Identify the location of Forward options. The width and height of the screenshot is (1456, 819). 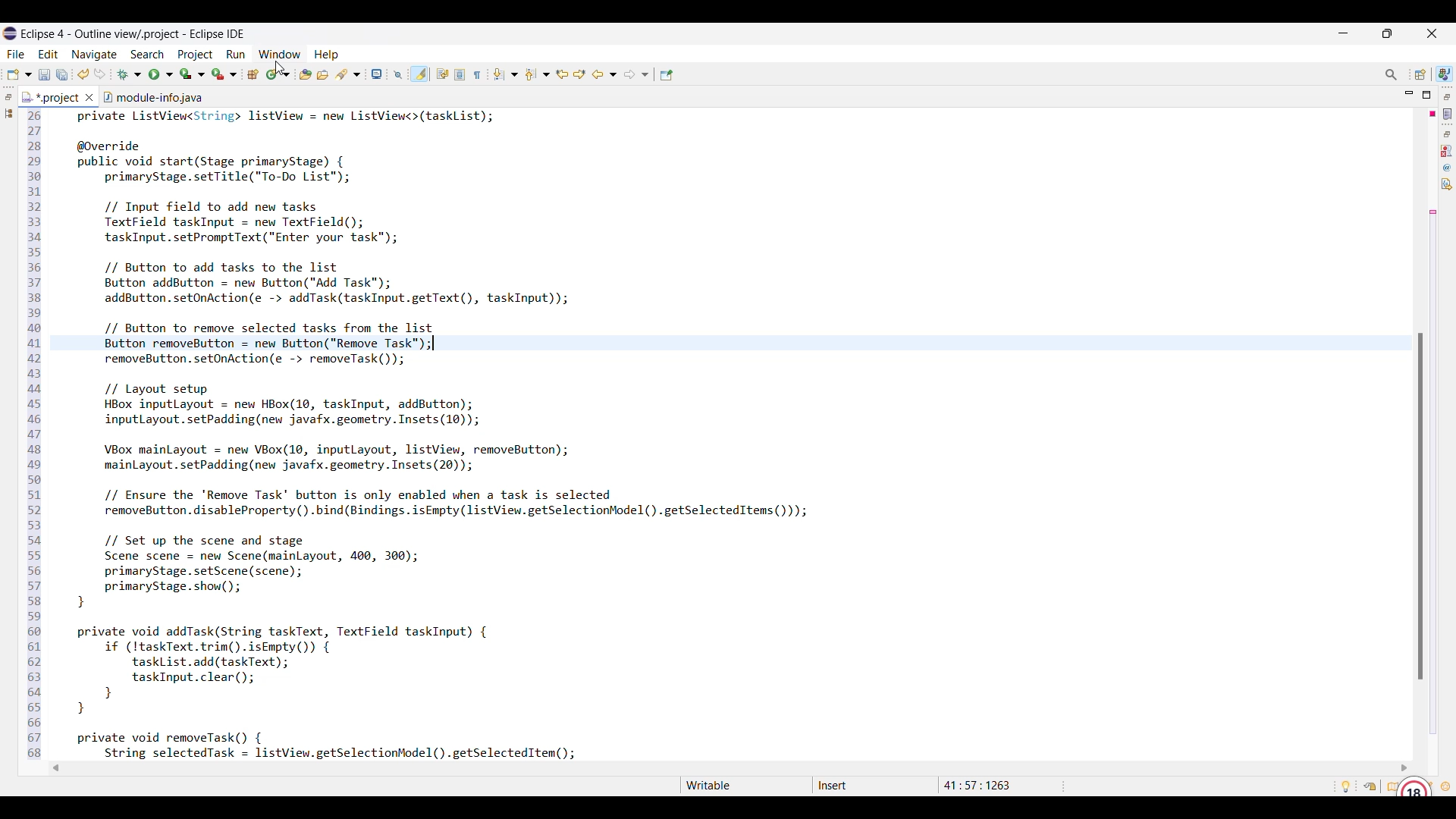
(636, 74).